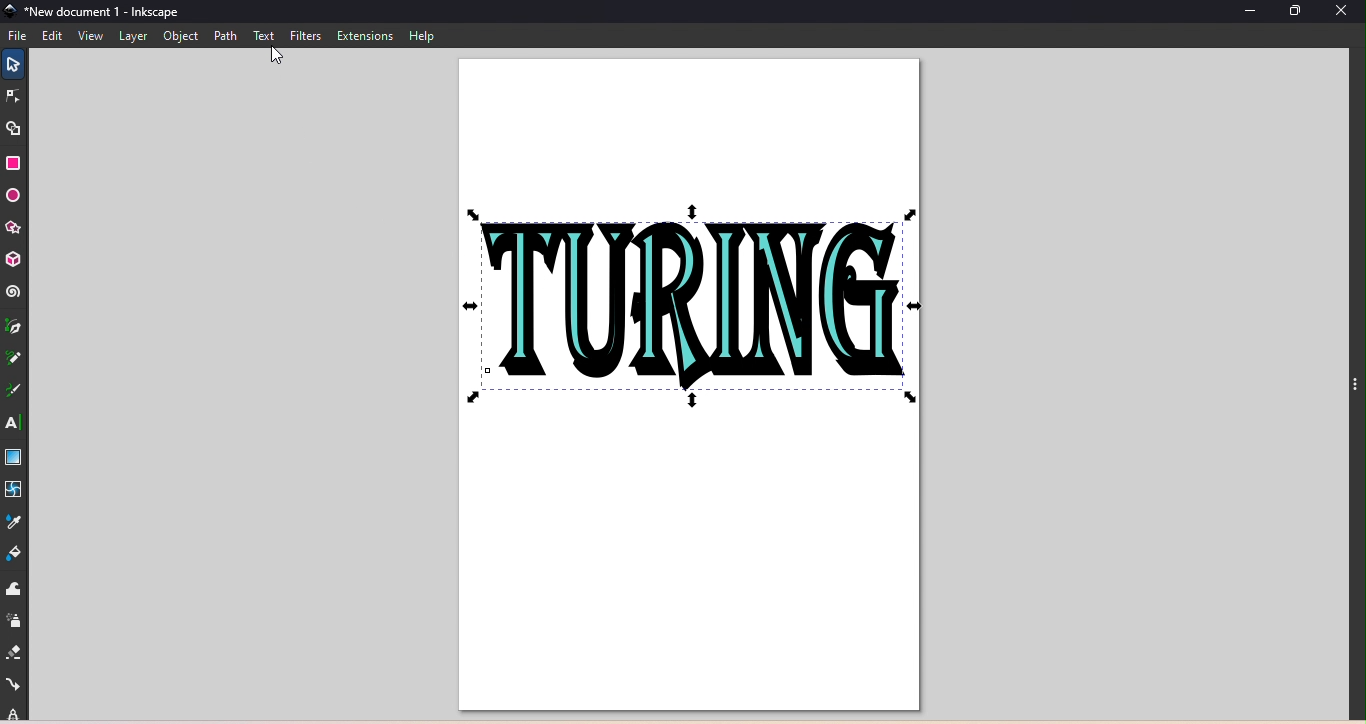 The height and width of the screenshot is (724, 1366). Describe the element at coordinates (18, 163) in the screenshot. I see `Rectangle tool` at that location.